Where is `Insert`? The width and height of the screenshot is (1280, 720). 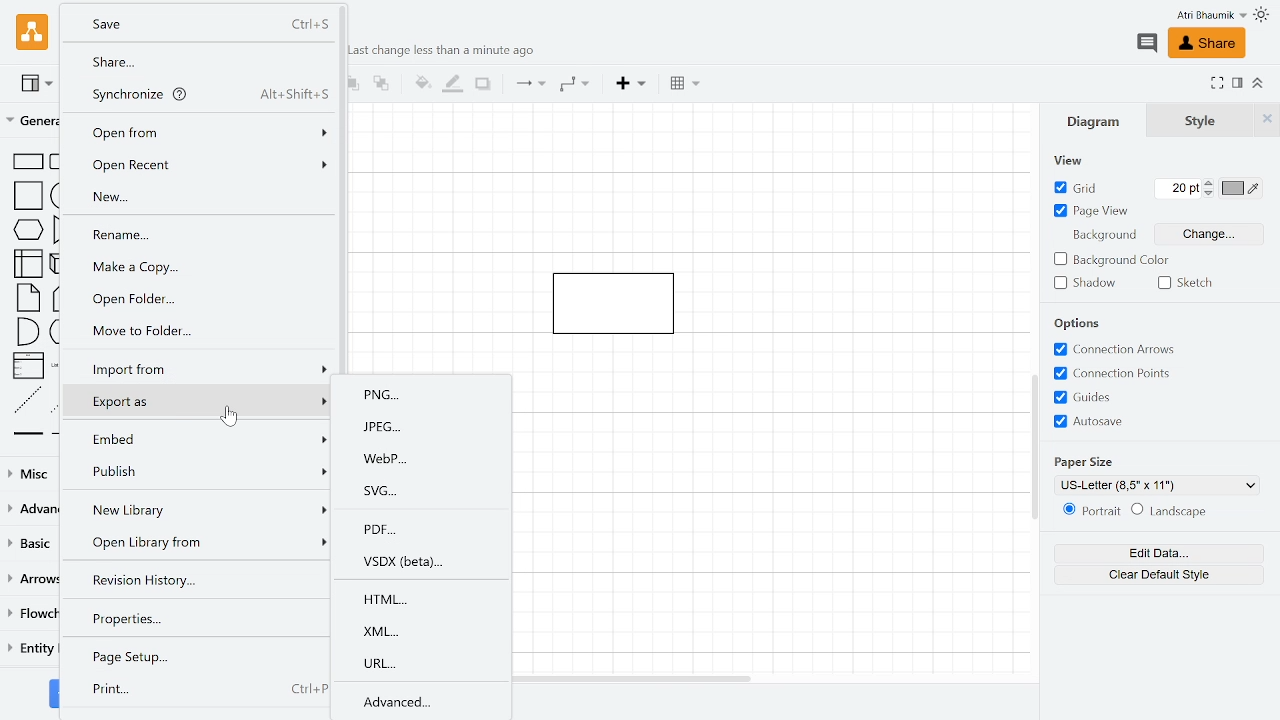 Insert is located at coordinates (630, 84).